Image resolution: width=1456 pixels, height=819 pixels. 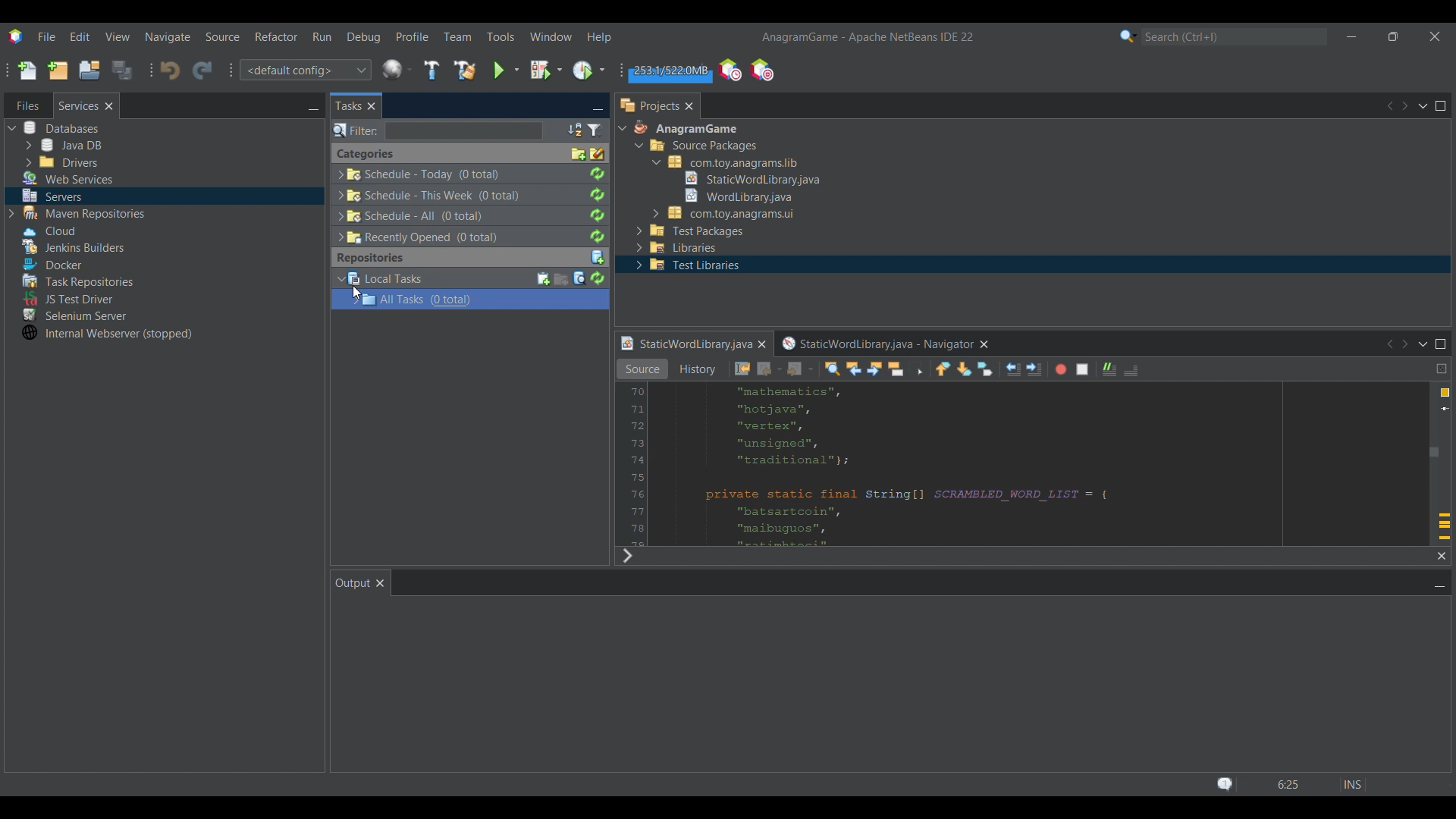 I want to click on Run menu, so click(x=322, y=36).